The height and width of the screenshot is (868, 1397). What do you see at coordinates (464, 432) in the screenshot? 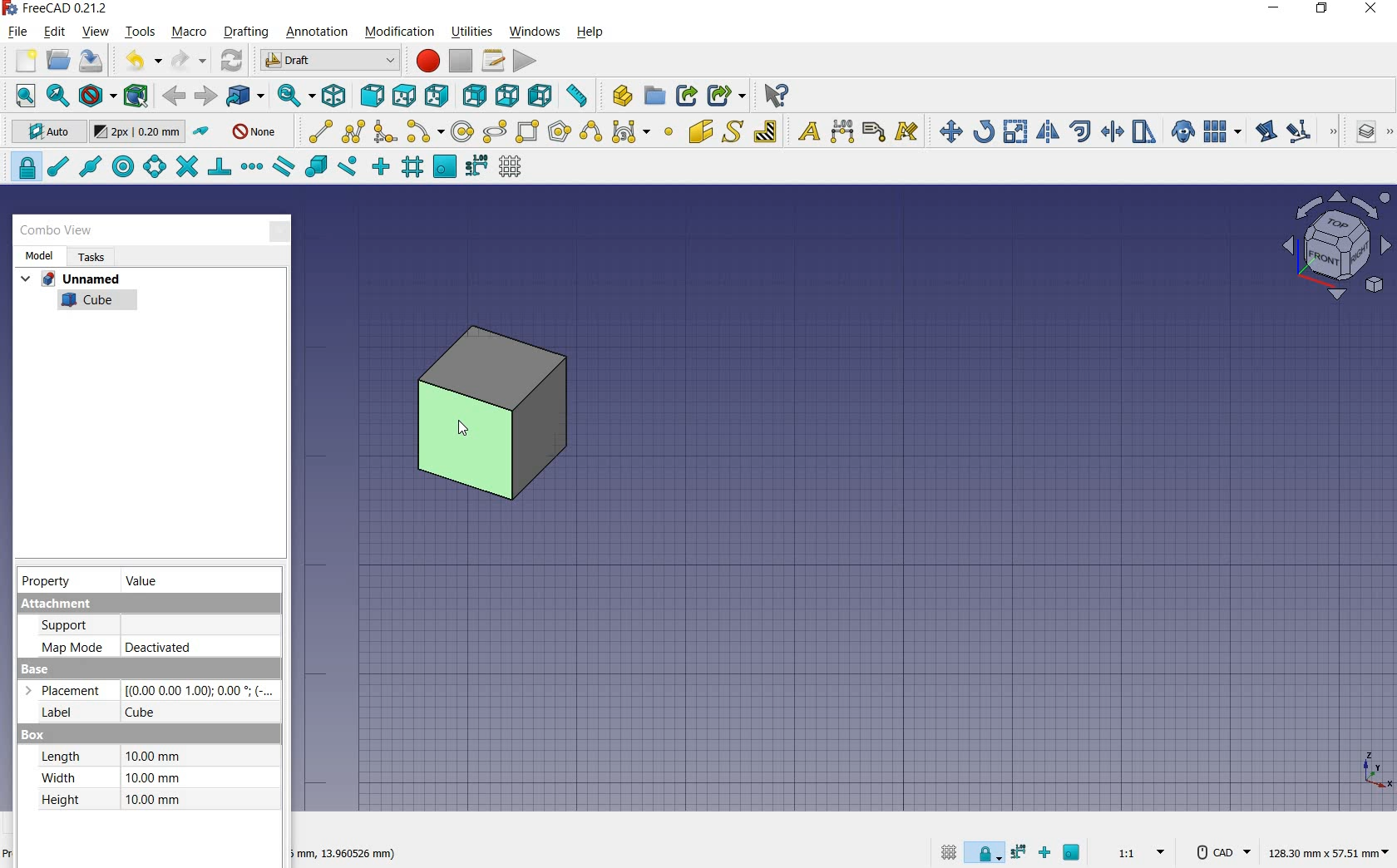
I see `cursor on object` at bounding box center [464, 432].